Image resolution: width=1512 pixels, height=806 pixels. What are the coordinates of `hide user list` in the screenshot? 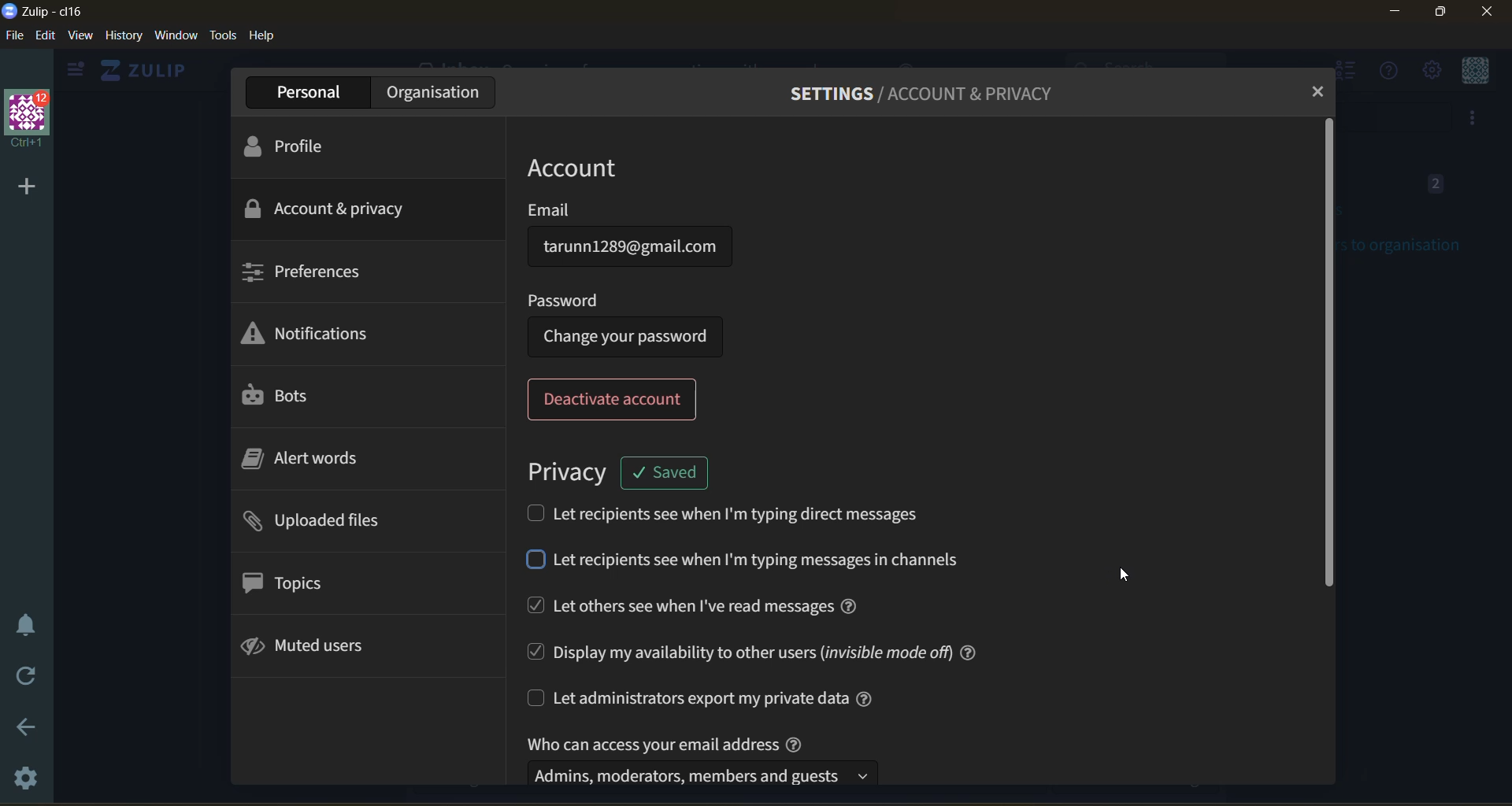 It's located at (1349, 73).